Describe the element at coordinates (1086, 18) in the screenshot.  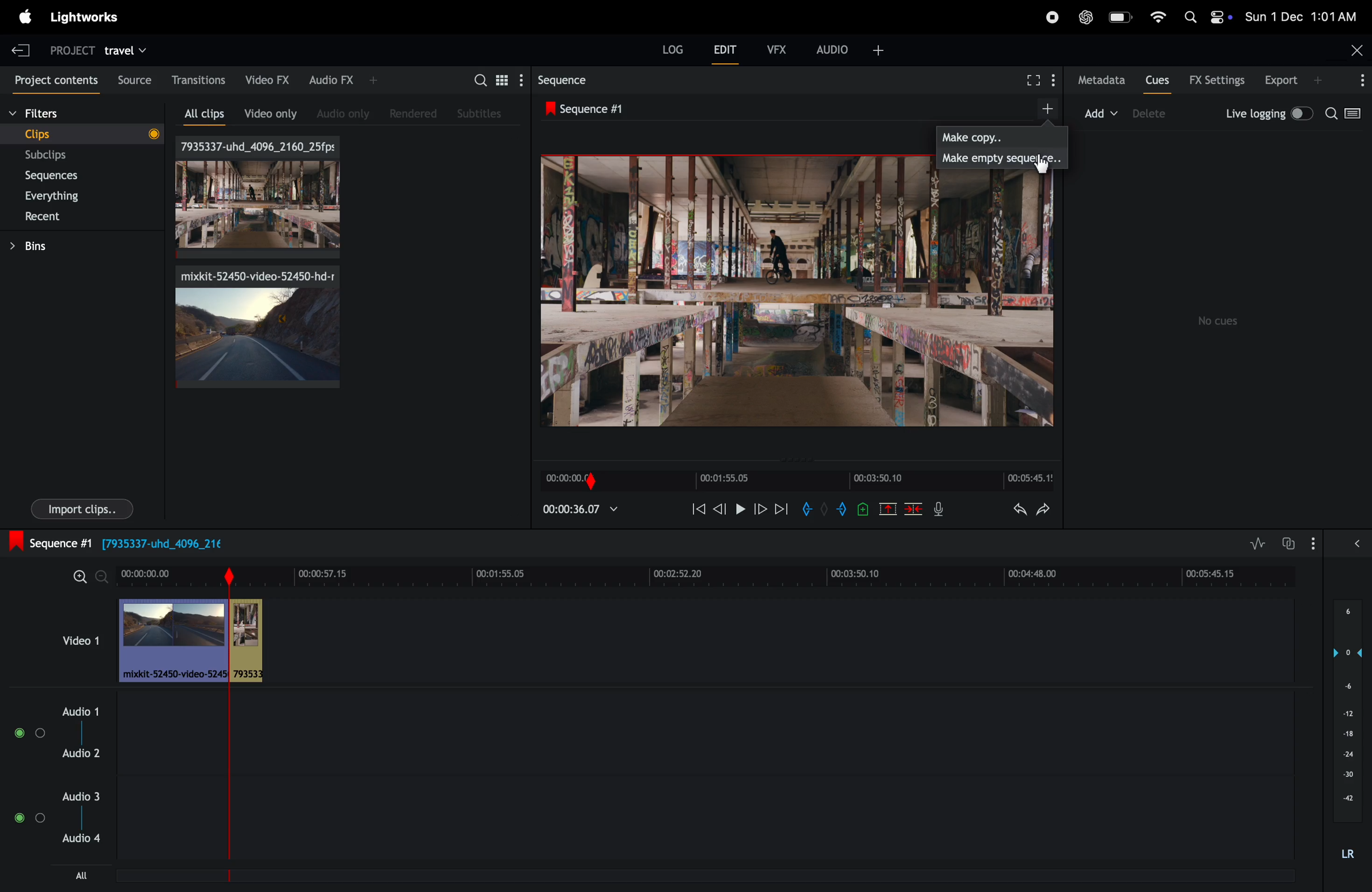
I see `chatgpt` at that location.